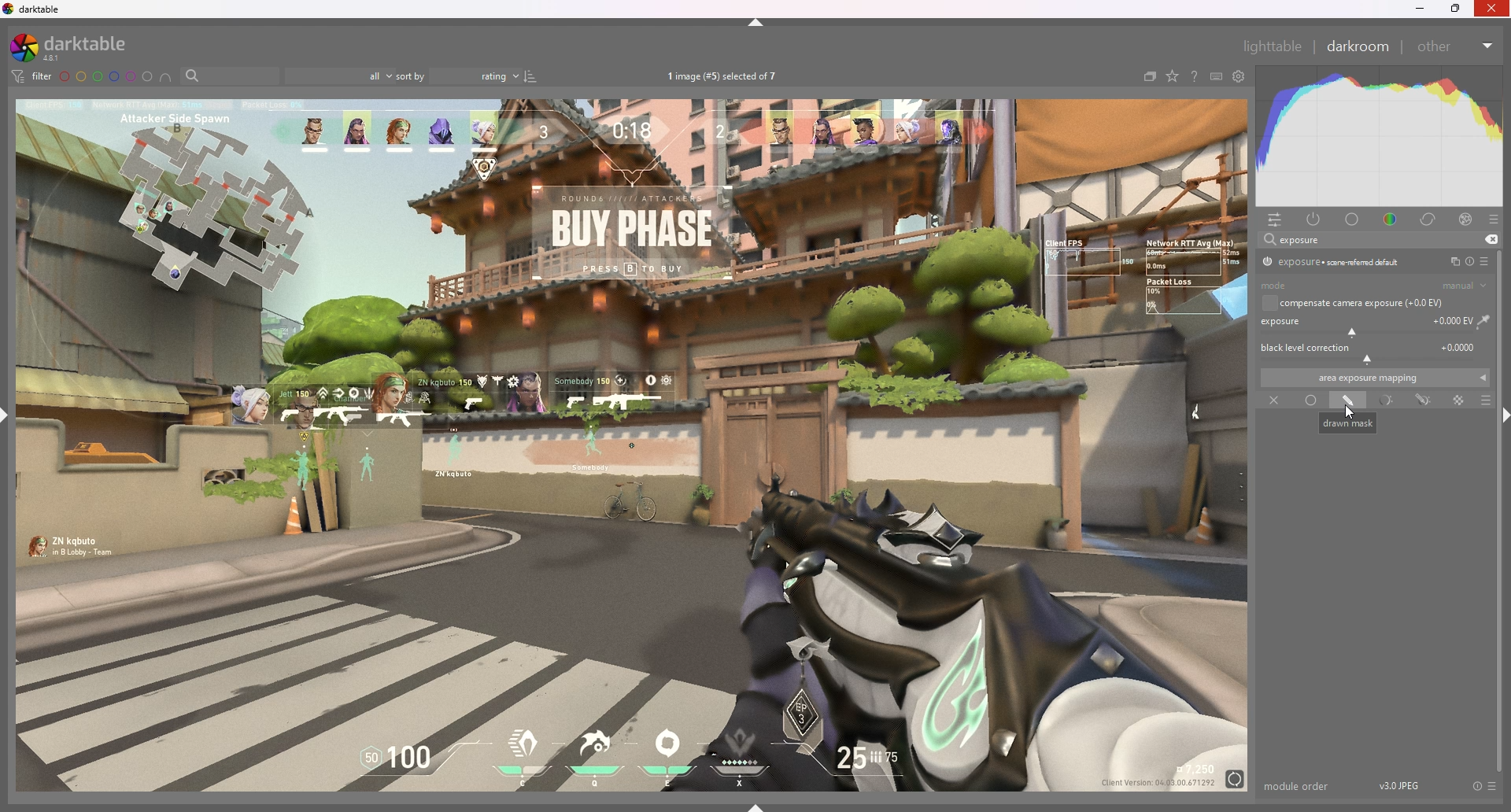  What do you see at coordinates (1491, 240) in the screenshot?
I see `remove` at bounding box center [1491, 240].